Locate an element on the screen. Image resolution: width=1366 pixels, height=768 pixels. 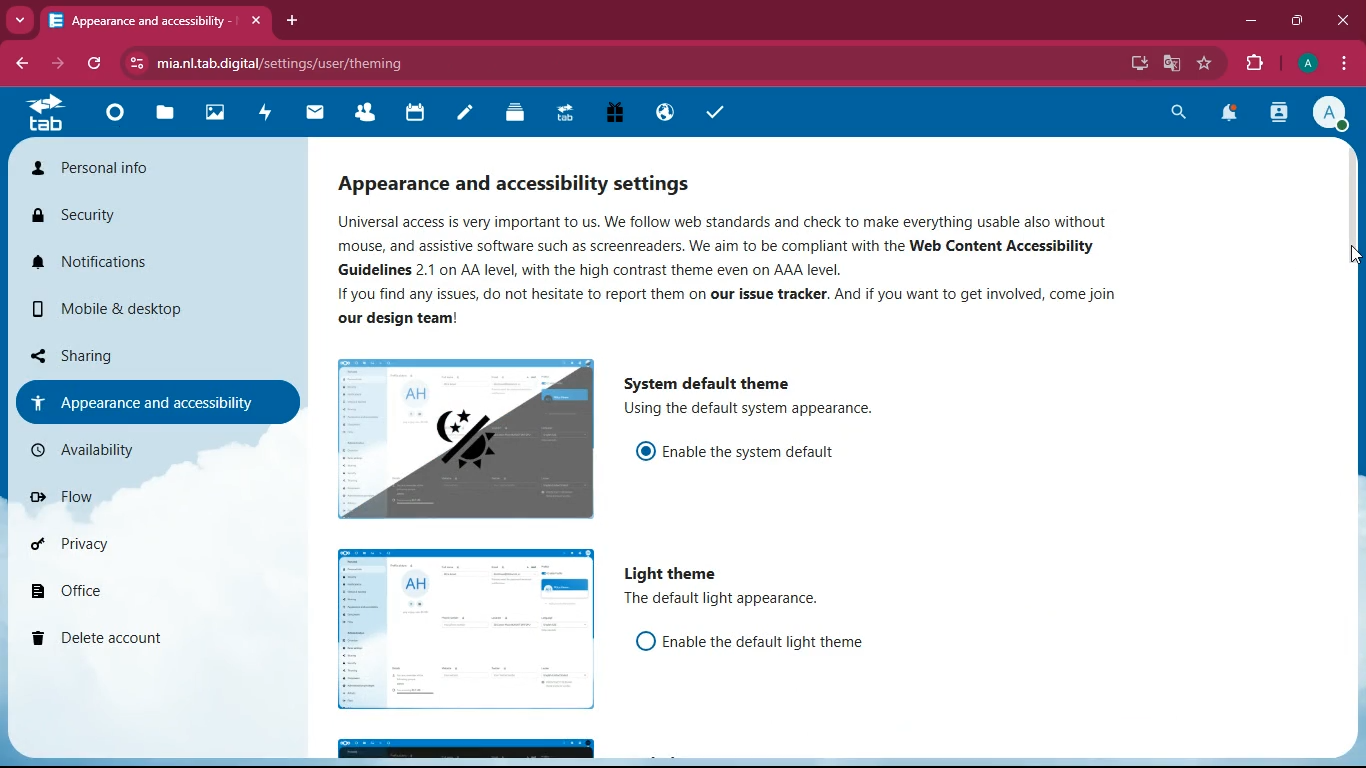
profile is located at coordinates (1307, 63).